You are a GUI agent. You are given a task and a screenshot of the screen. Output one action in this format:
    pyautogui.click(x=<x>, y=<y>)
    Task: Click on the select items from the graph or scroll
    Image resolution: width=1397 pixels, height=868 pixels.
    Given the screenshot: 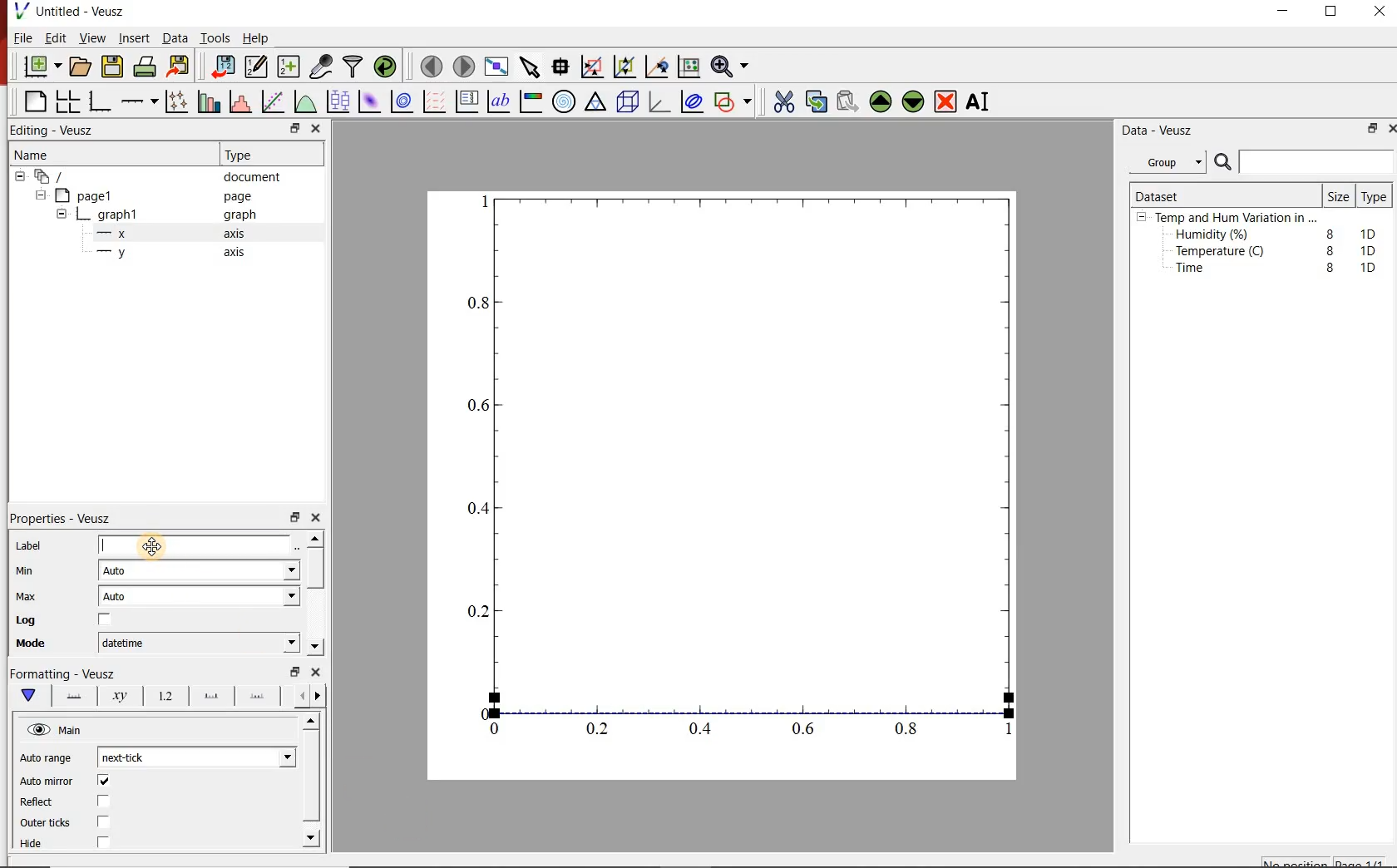 What is the action you would take?
    pyautogui.click(x=531, y=69)
    